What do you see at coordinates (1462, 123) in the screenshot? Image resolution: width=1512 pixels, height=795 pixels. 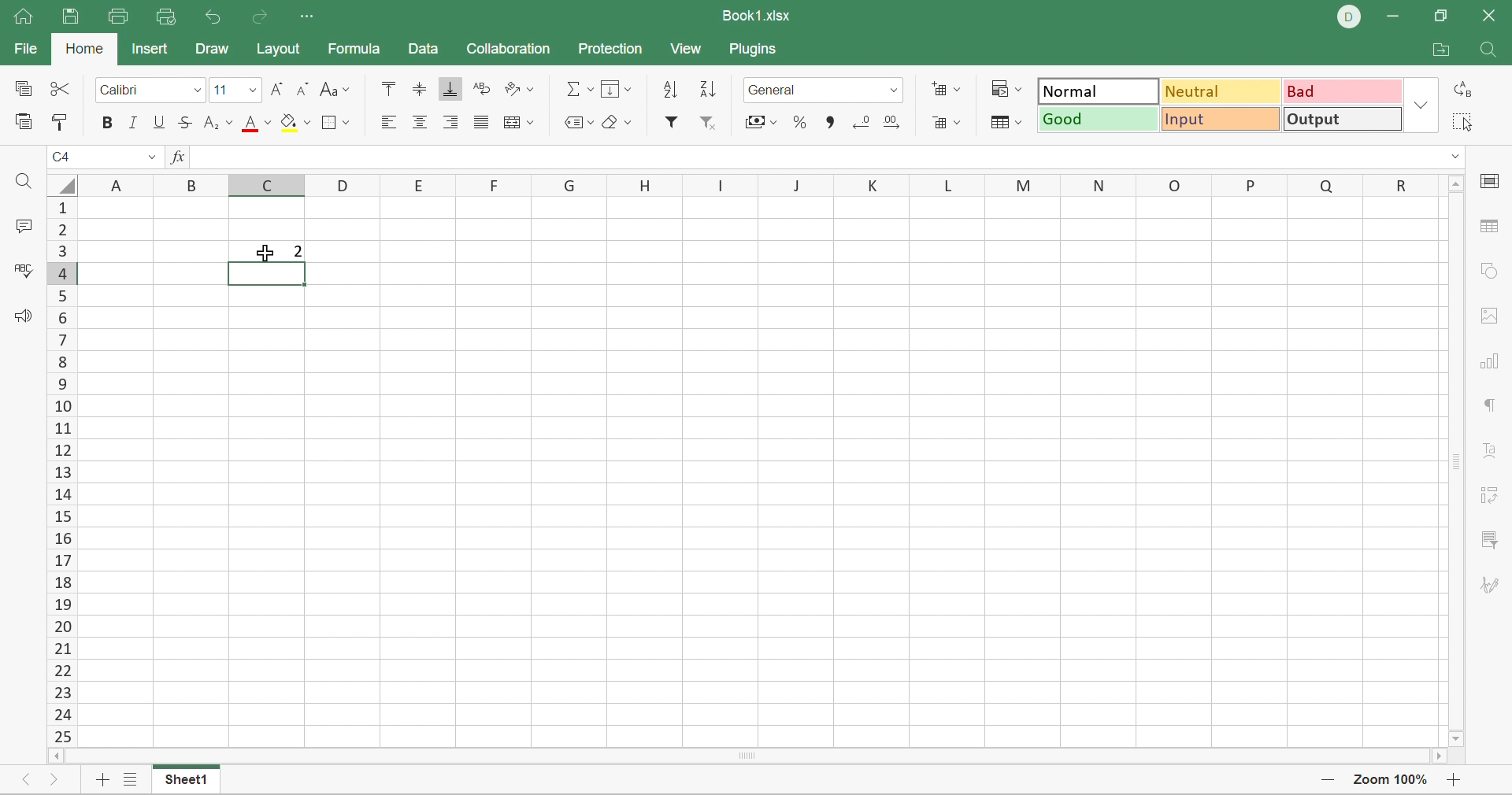 I see `Select all` at bounding box center [1462, 123].